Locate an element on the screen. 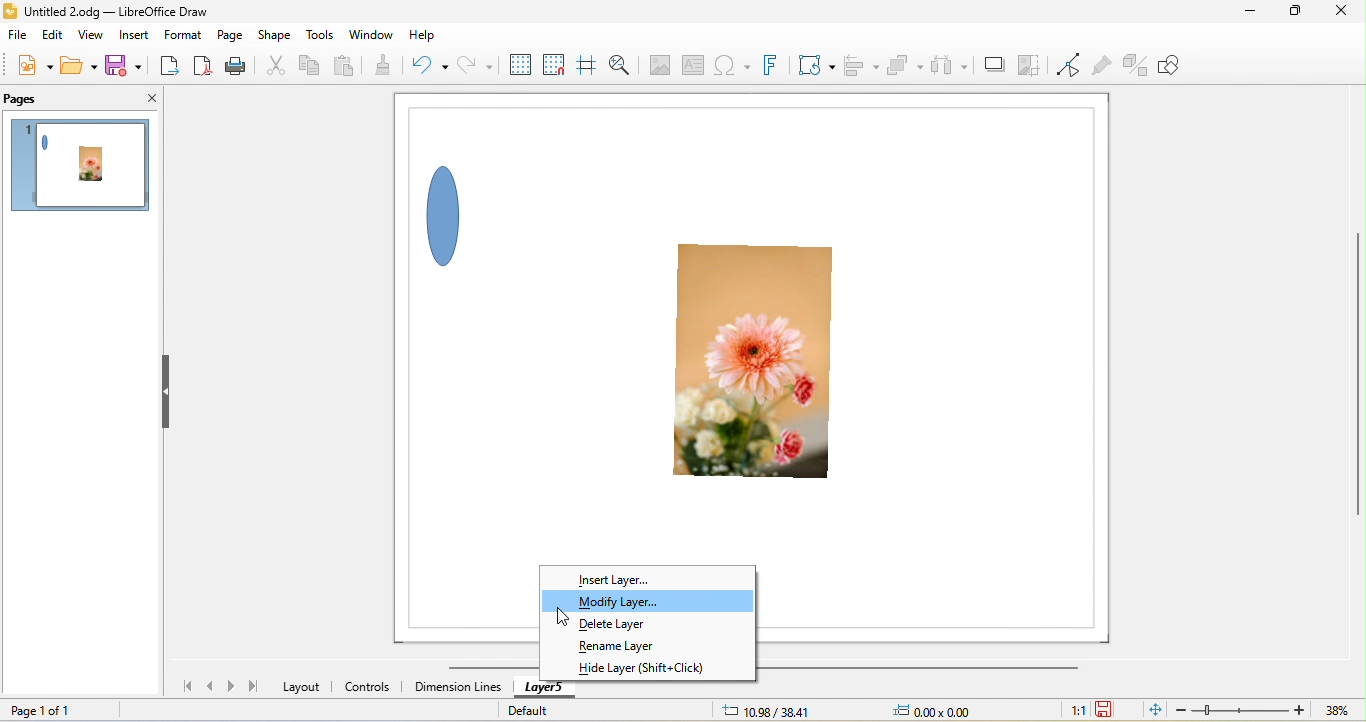  print is located at coordinates (243, 67).